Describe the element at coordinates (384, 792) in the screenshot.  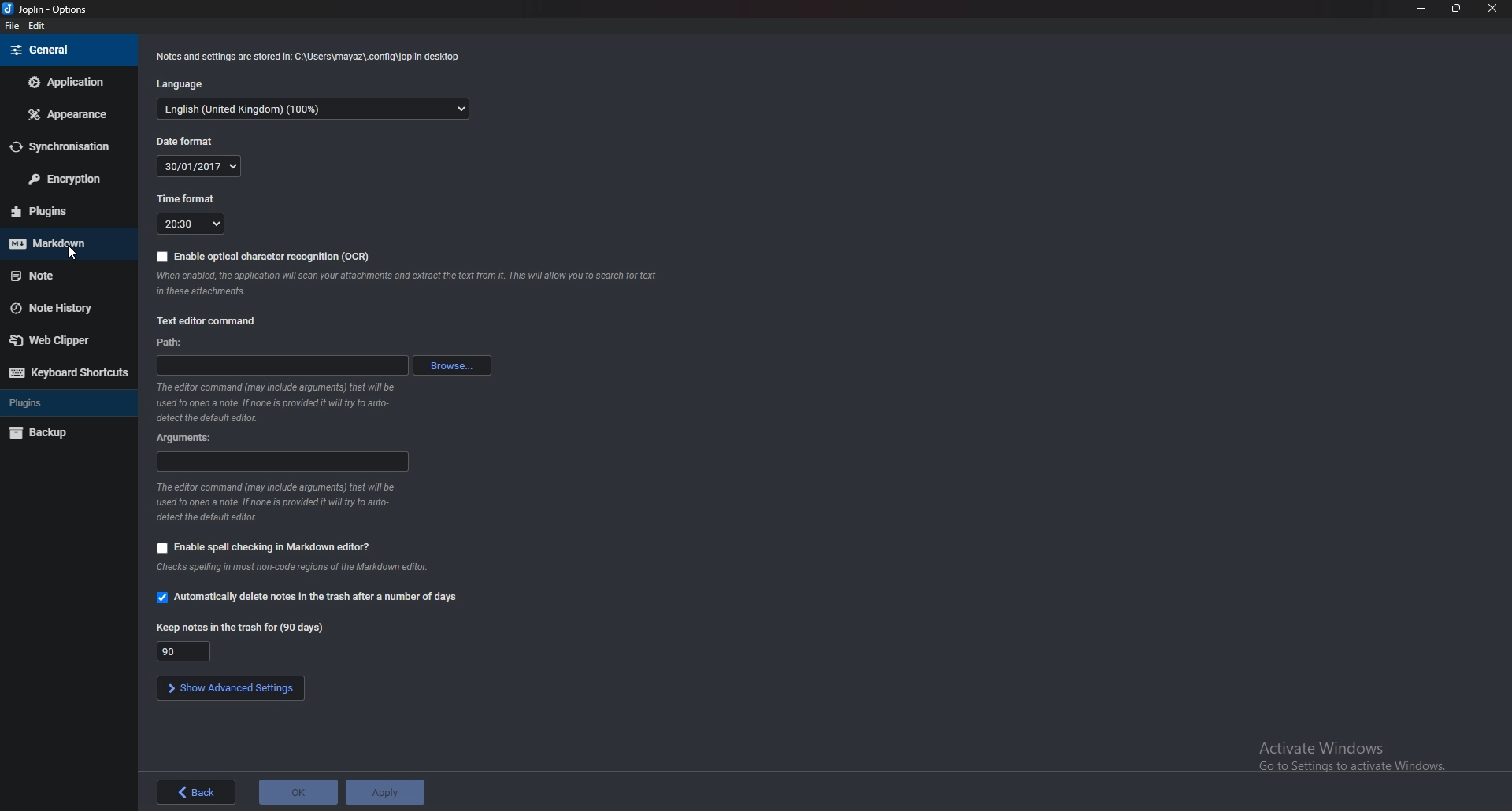
I see `apply` at that location.